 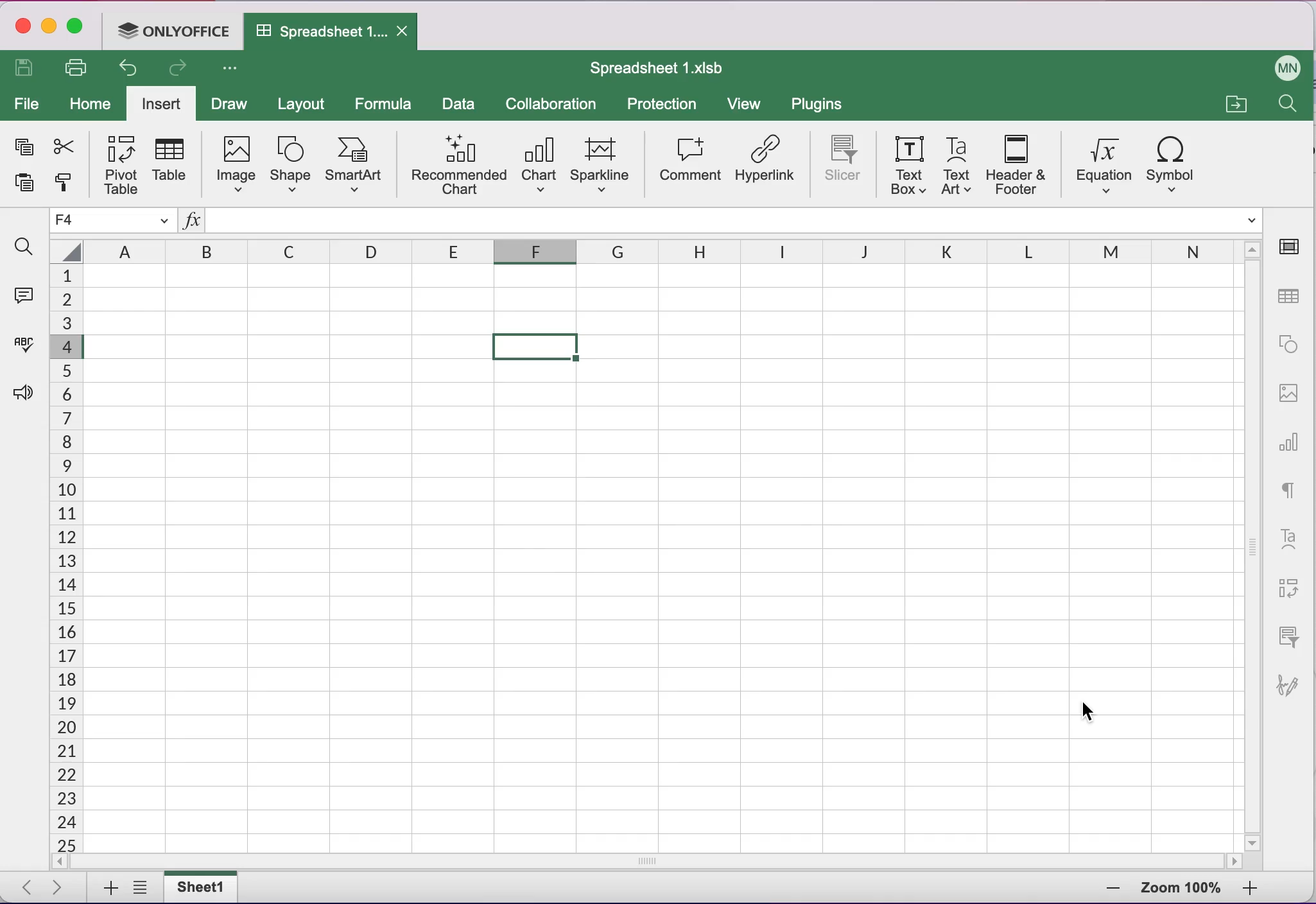 I want to click on zoom in, so click(x=1258, y=888).